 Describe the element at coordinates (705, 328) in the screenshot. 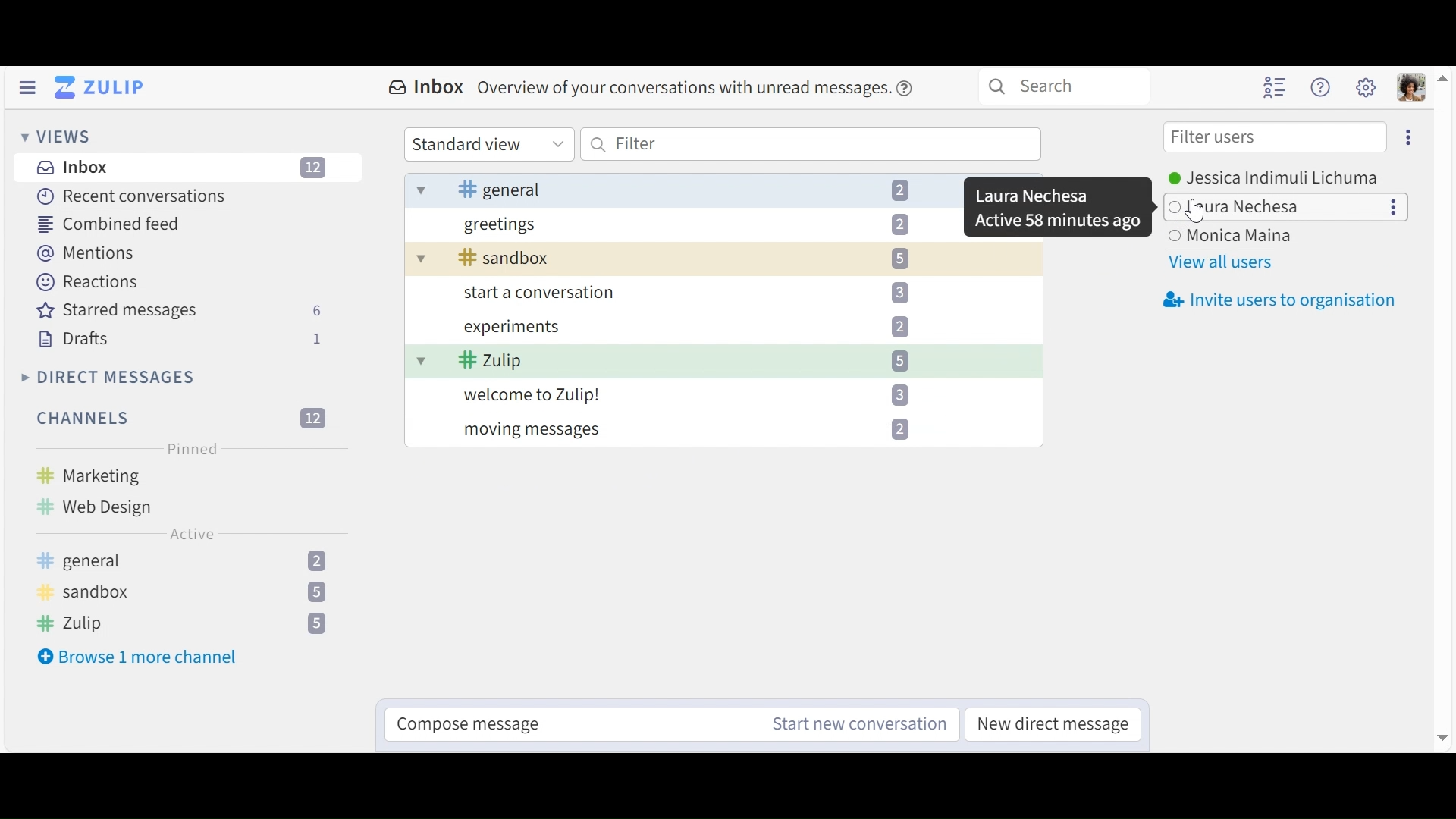

I see `experiments` at that location.